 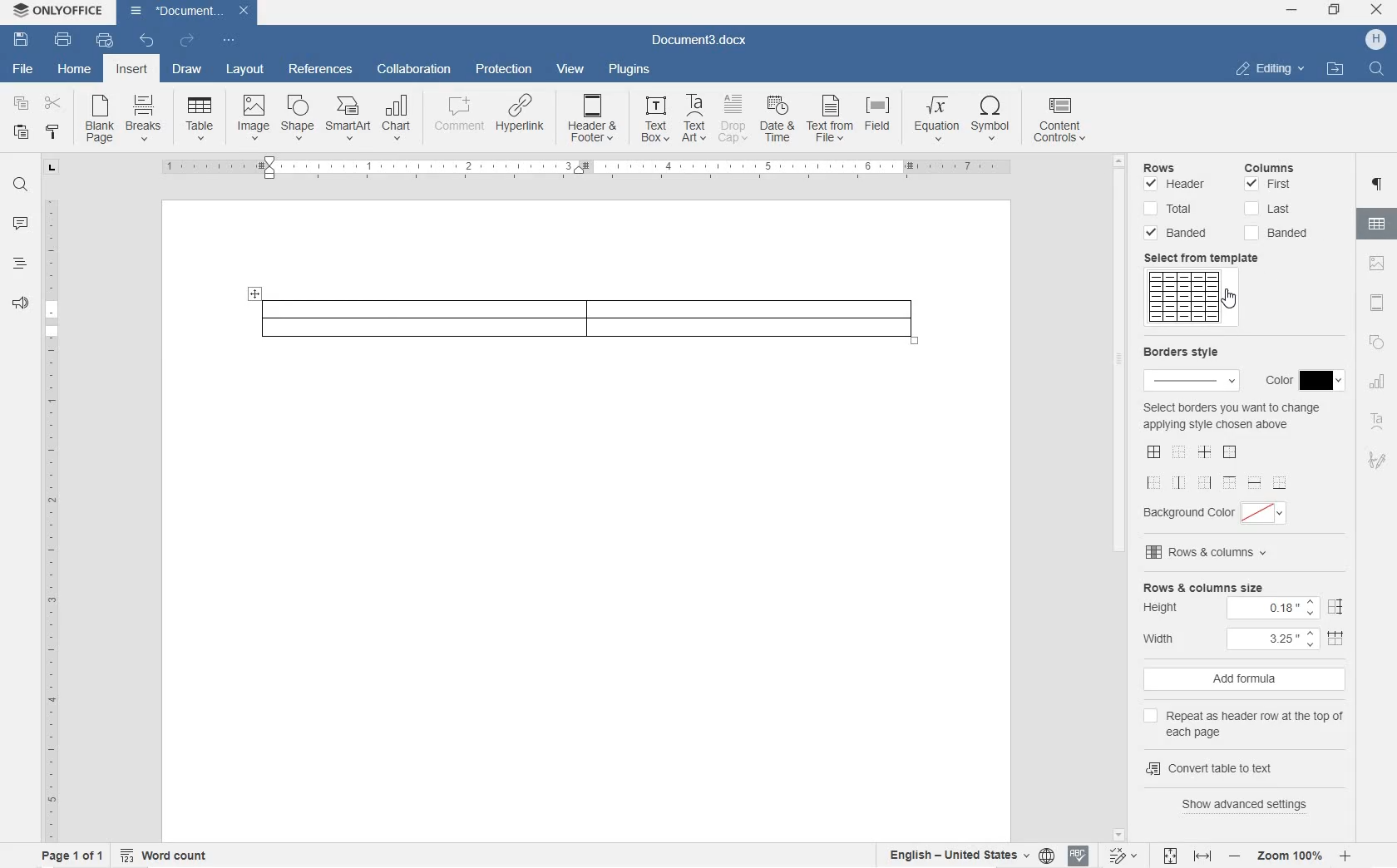 I want to click on Equation, so click(x=936, y=117).